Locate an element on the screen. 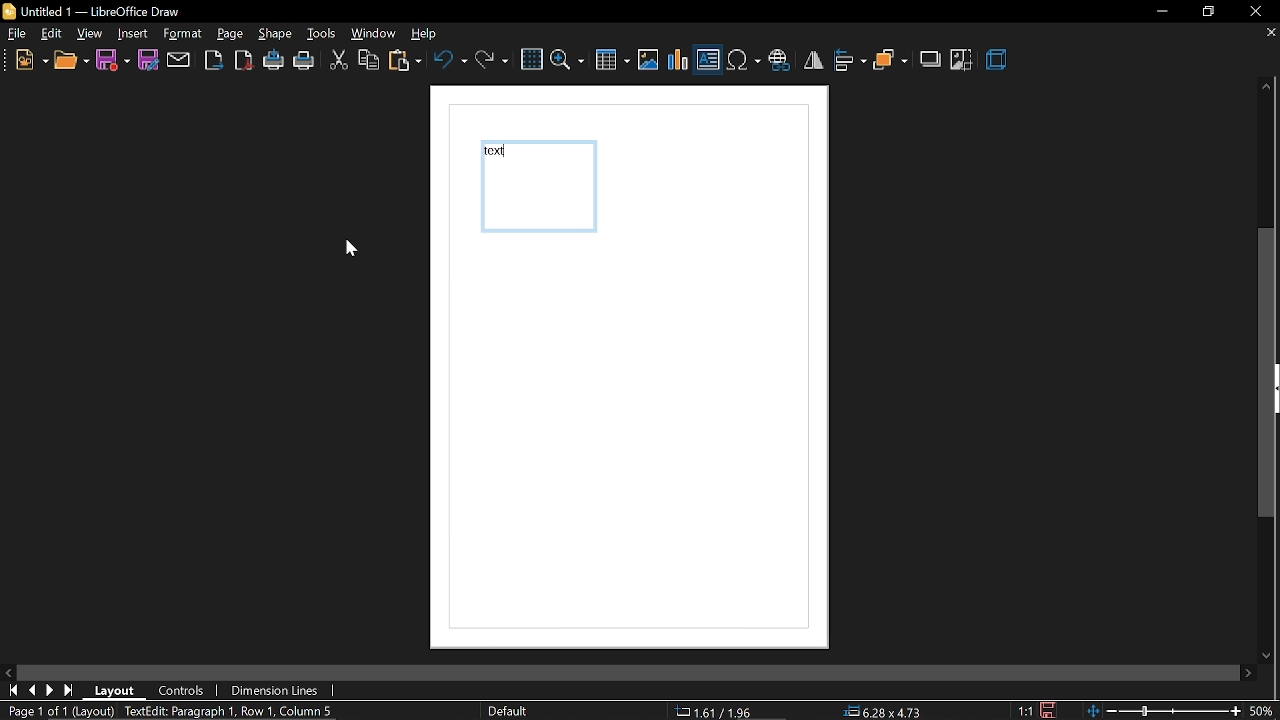 The image size is (1280, 720). cursor is located at coordinates (351, 253).